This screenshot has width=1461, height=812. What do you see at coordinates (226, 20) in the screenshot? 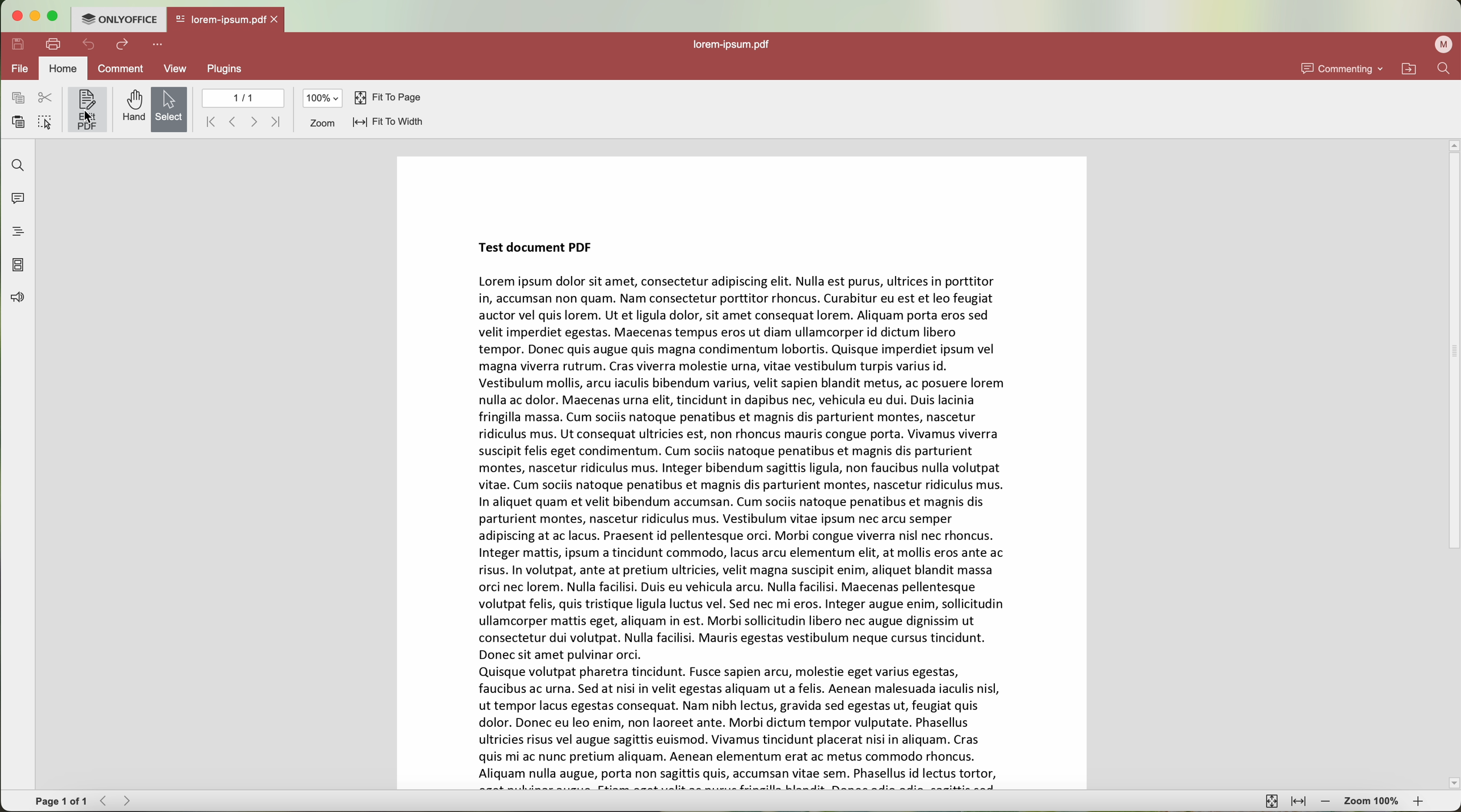
I see `open file` at bounding box center [226, 20].